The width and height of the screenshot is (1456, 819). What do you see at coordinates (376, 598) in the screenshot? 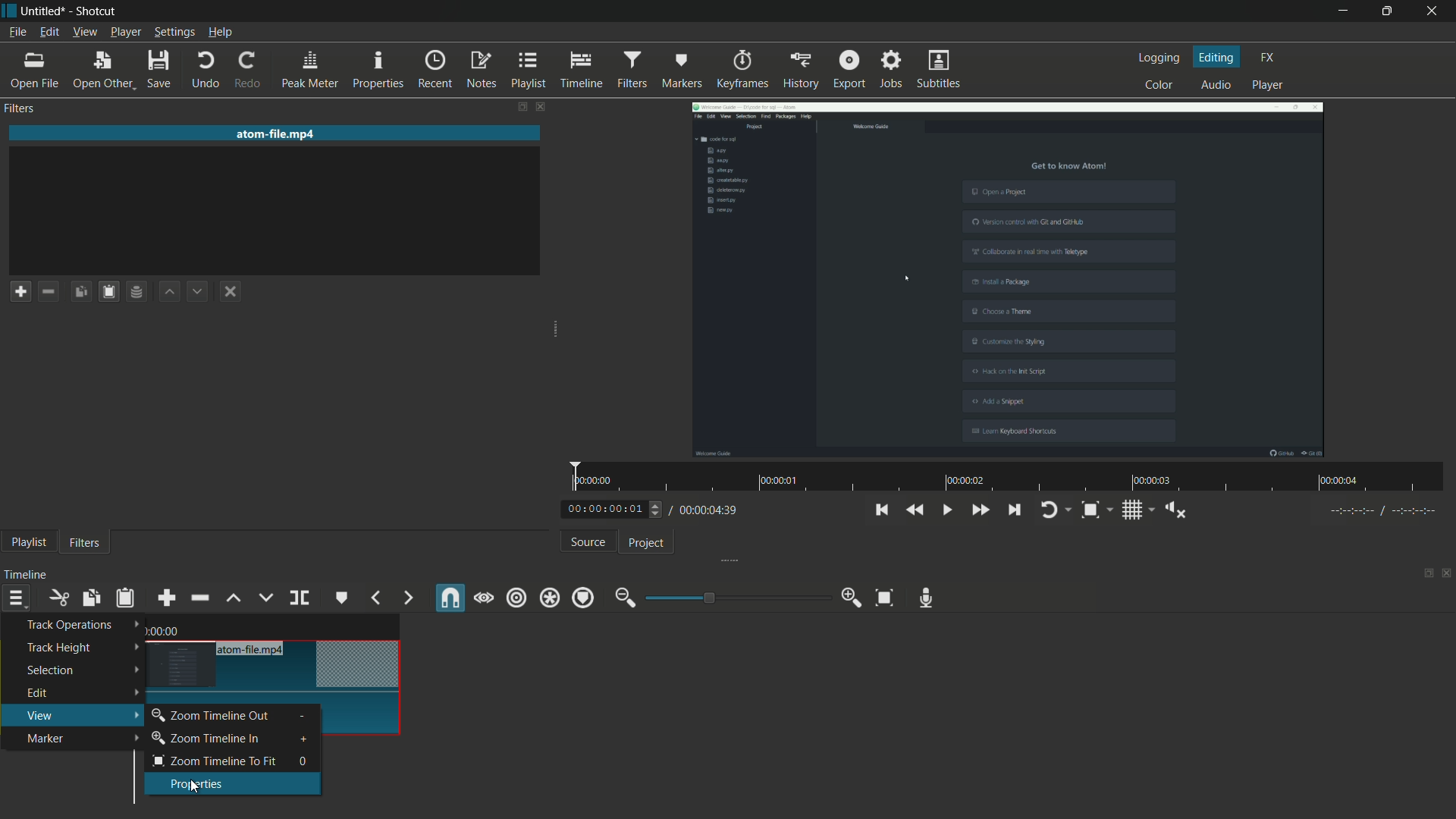
I see `previous marker` at bounding box center [376, 598].